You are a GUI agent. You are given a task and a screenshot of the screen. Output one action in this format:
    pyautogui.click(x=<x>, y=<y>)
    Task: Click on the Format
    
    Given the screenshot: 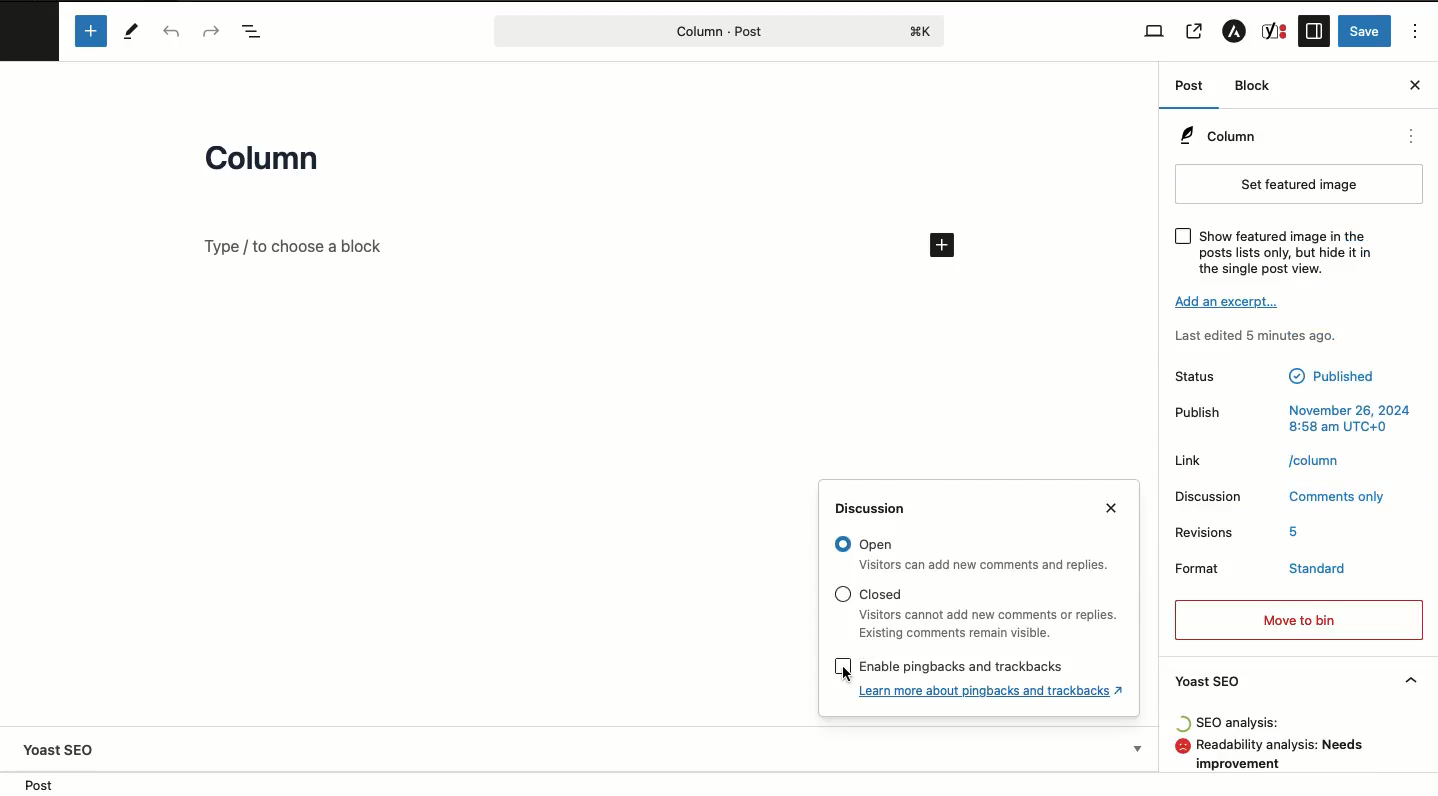 What is the action you would take?
    pyautogui.click(x=1206, y=569)
    